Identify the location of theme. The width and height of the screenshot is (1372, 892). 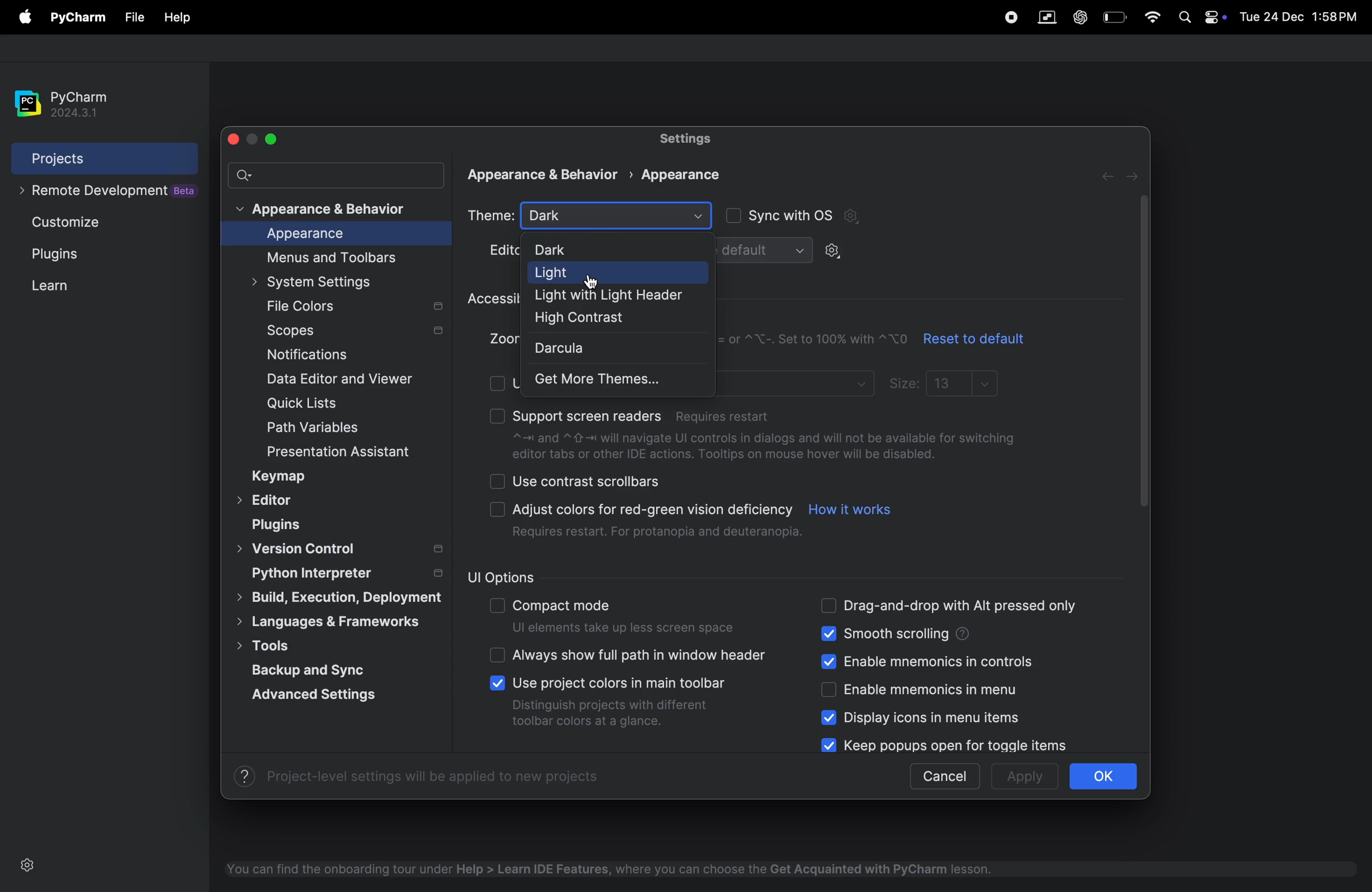
(493, 216).